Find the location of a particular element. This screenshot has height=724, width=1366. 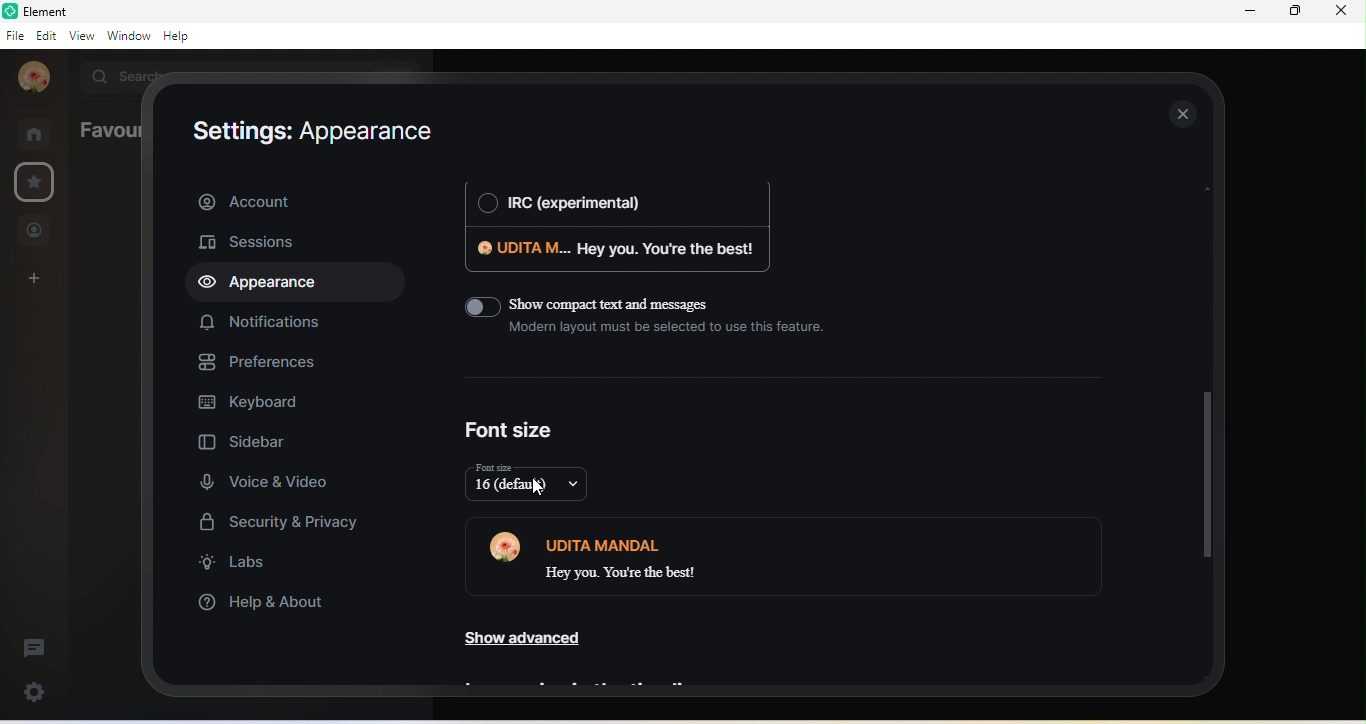

profile photo is located at coordinates (33, 79).